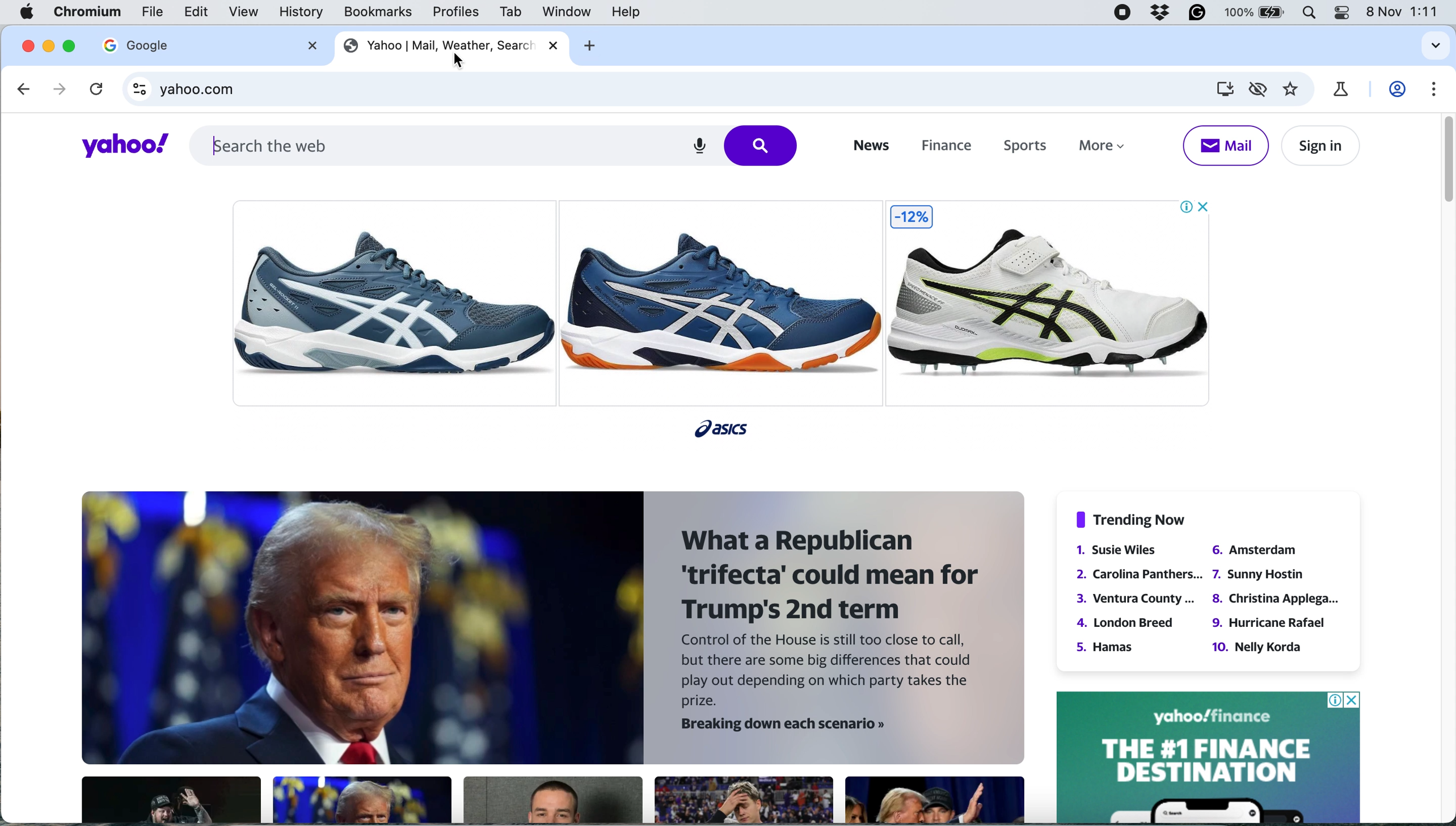 The height and width of the screenshot is (826, 1456). What do you see at coordinates (1292, 90) in the screenshot?
I see `bookmark` at bounding box center [1292, 90].